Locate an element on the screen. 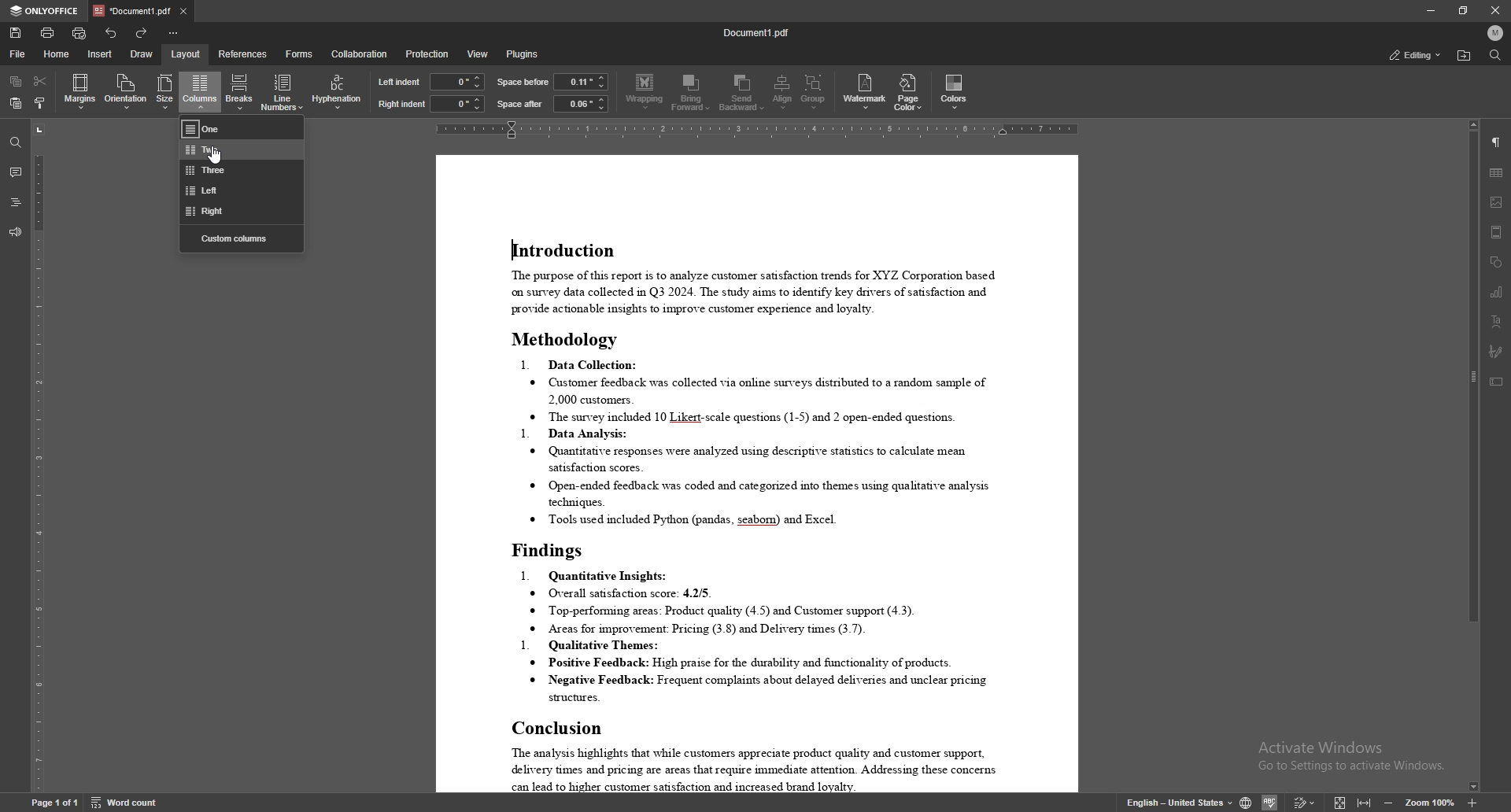 The width and height of the screenshot is (1511, 812). tab is located at coordinates (131, 11).